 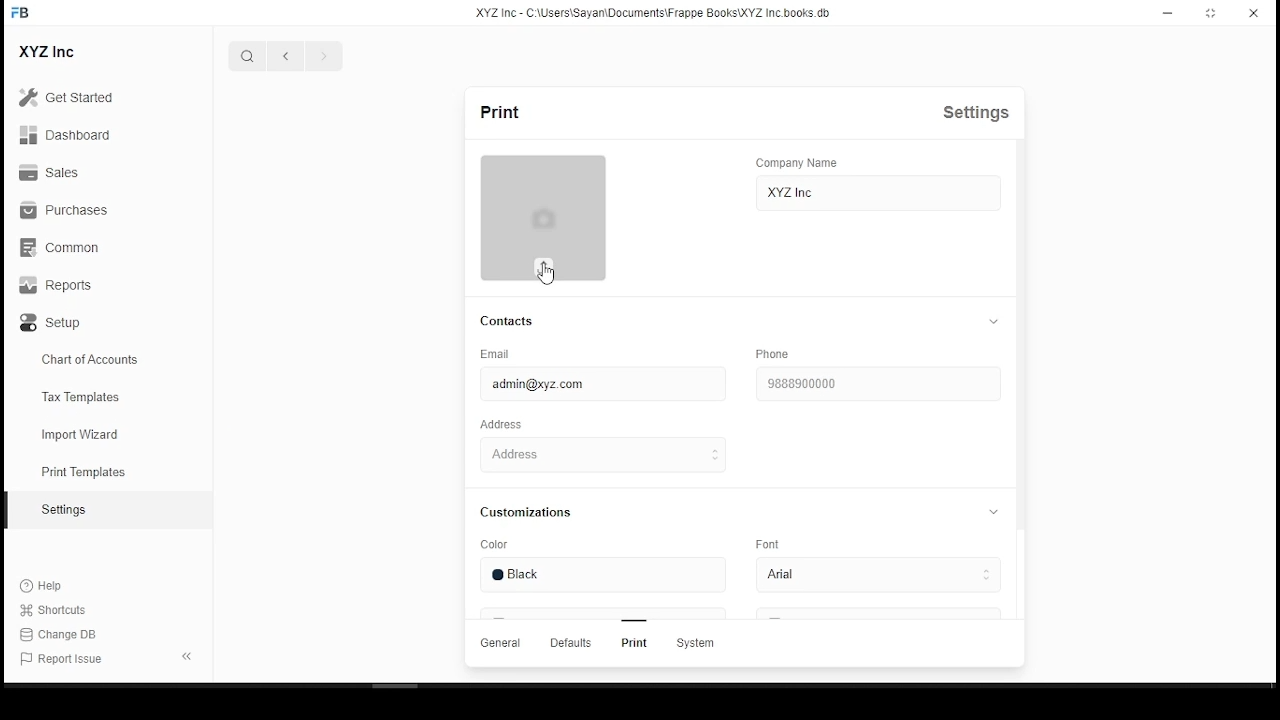 What do you see at coordinates (52, 171) in the screenshot?
I see `Sales` at bounding box center [52, 171].